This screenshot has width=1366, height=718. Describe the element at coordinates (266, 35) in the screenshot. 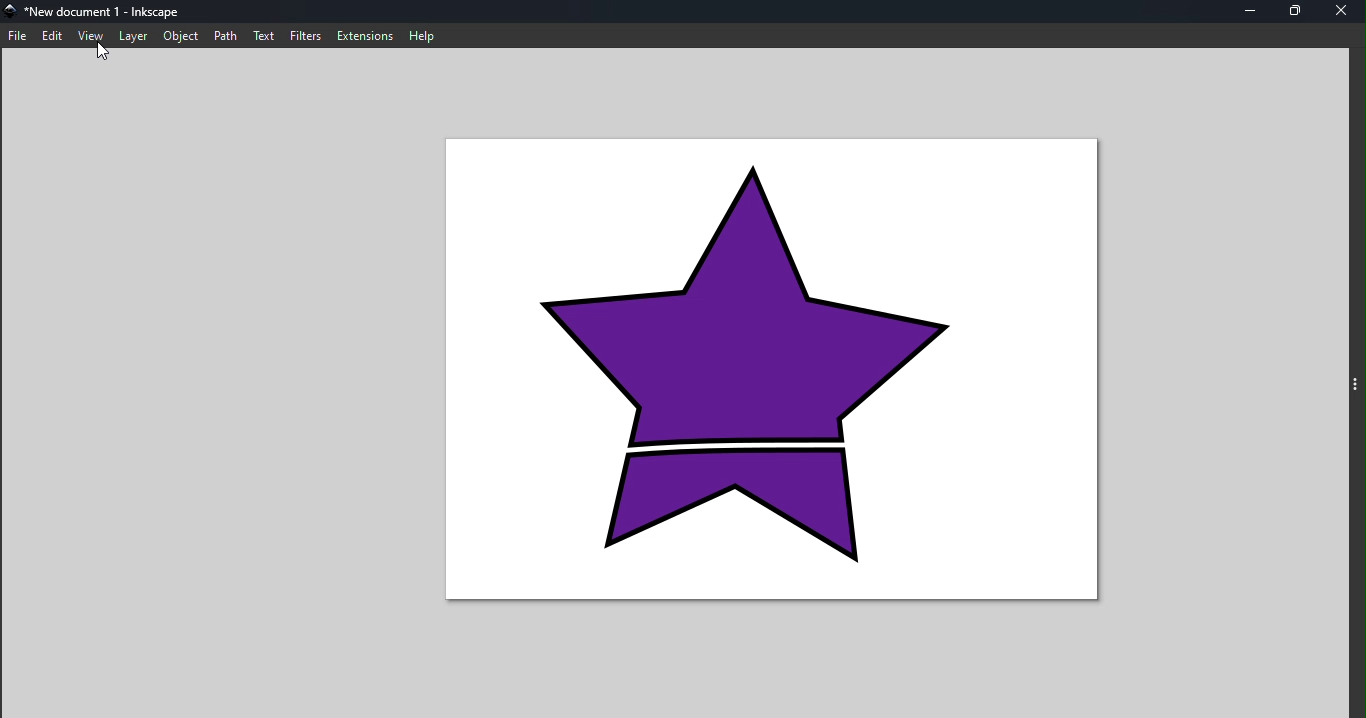

I see `Text` at that location.